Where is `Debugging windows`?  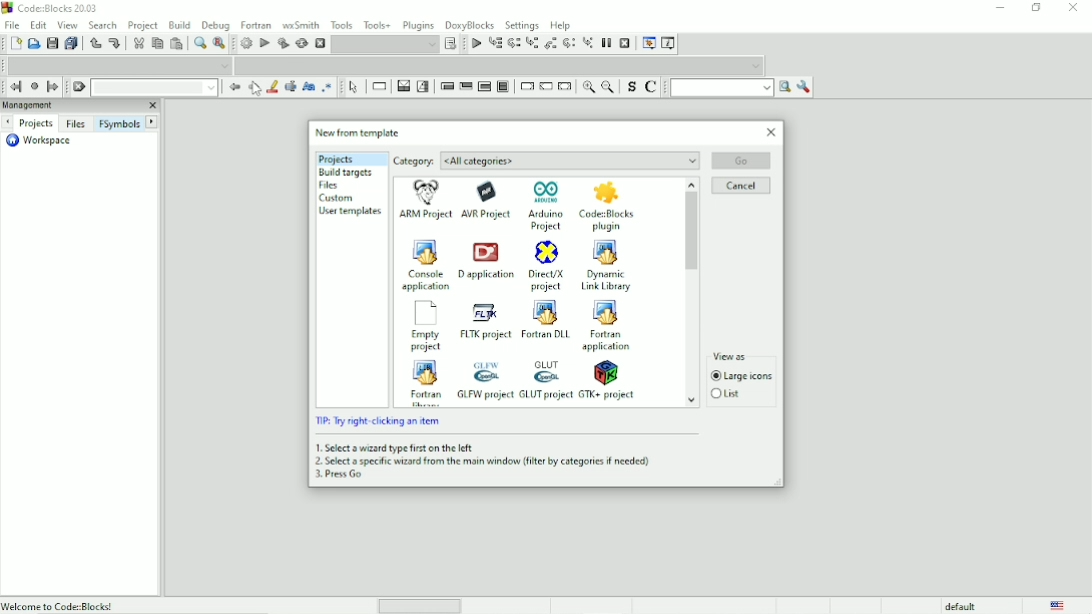 Debugging windows is located at coordinates (648, 43).